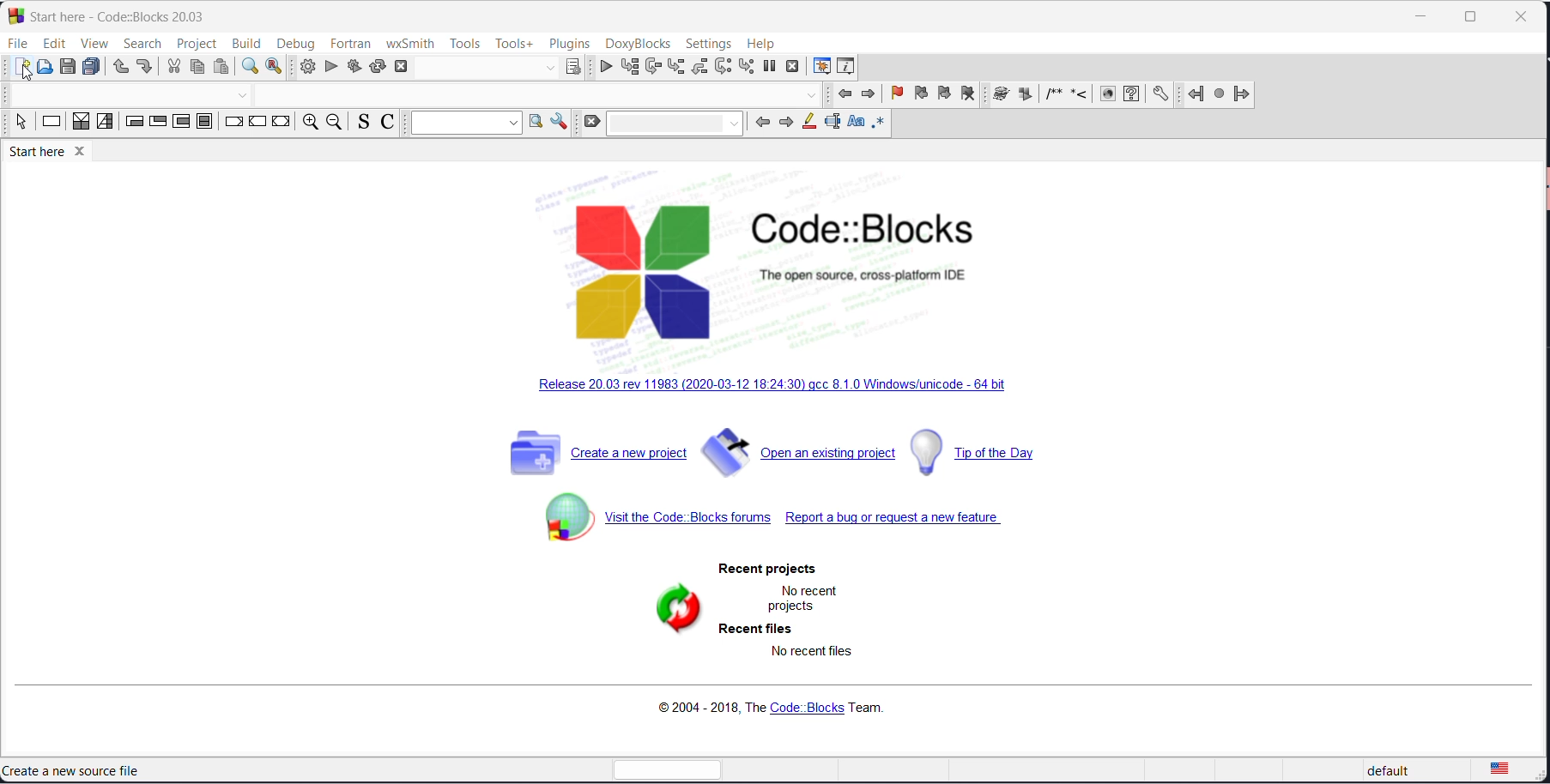  What do you see at coordinates (793, 69) in the screenshot?
I see `stop debugging` at bounding box center [793, 69].